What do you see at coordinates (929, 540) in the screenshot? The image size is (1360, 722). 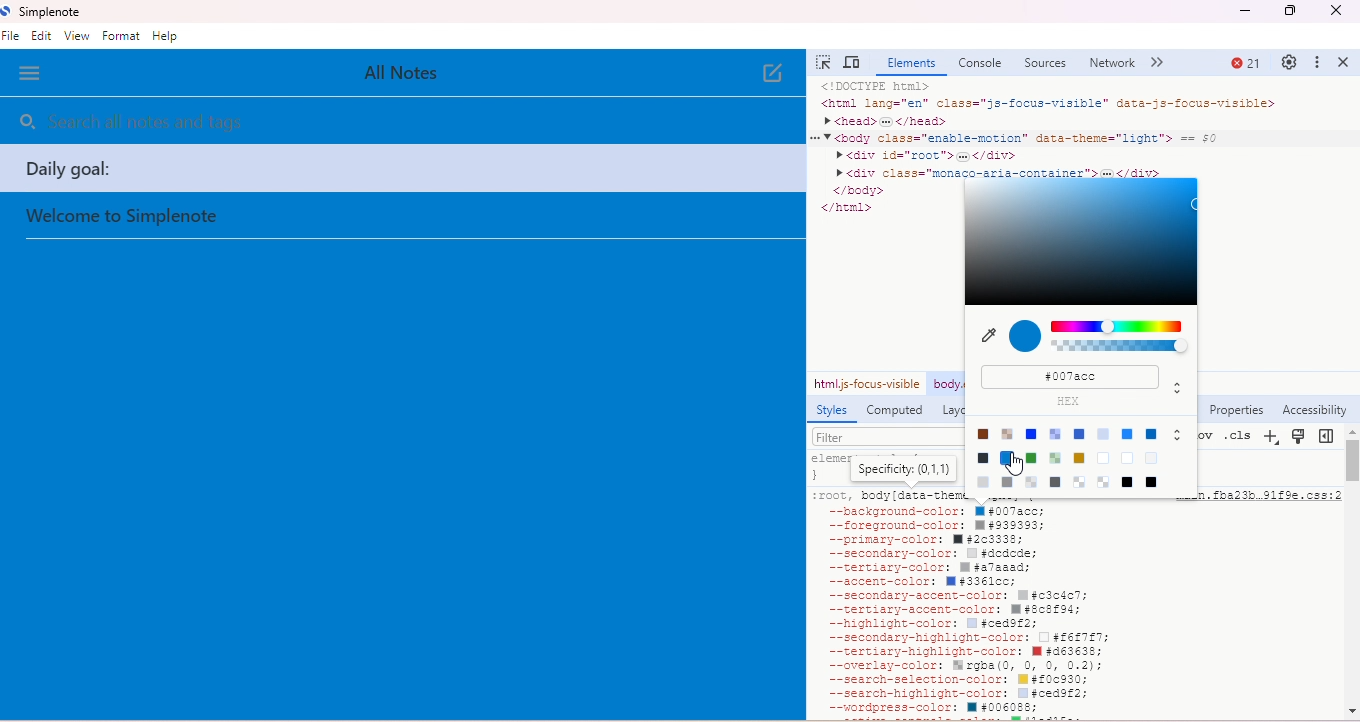 I see `primary-color` at bounding box center [929, 540].